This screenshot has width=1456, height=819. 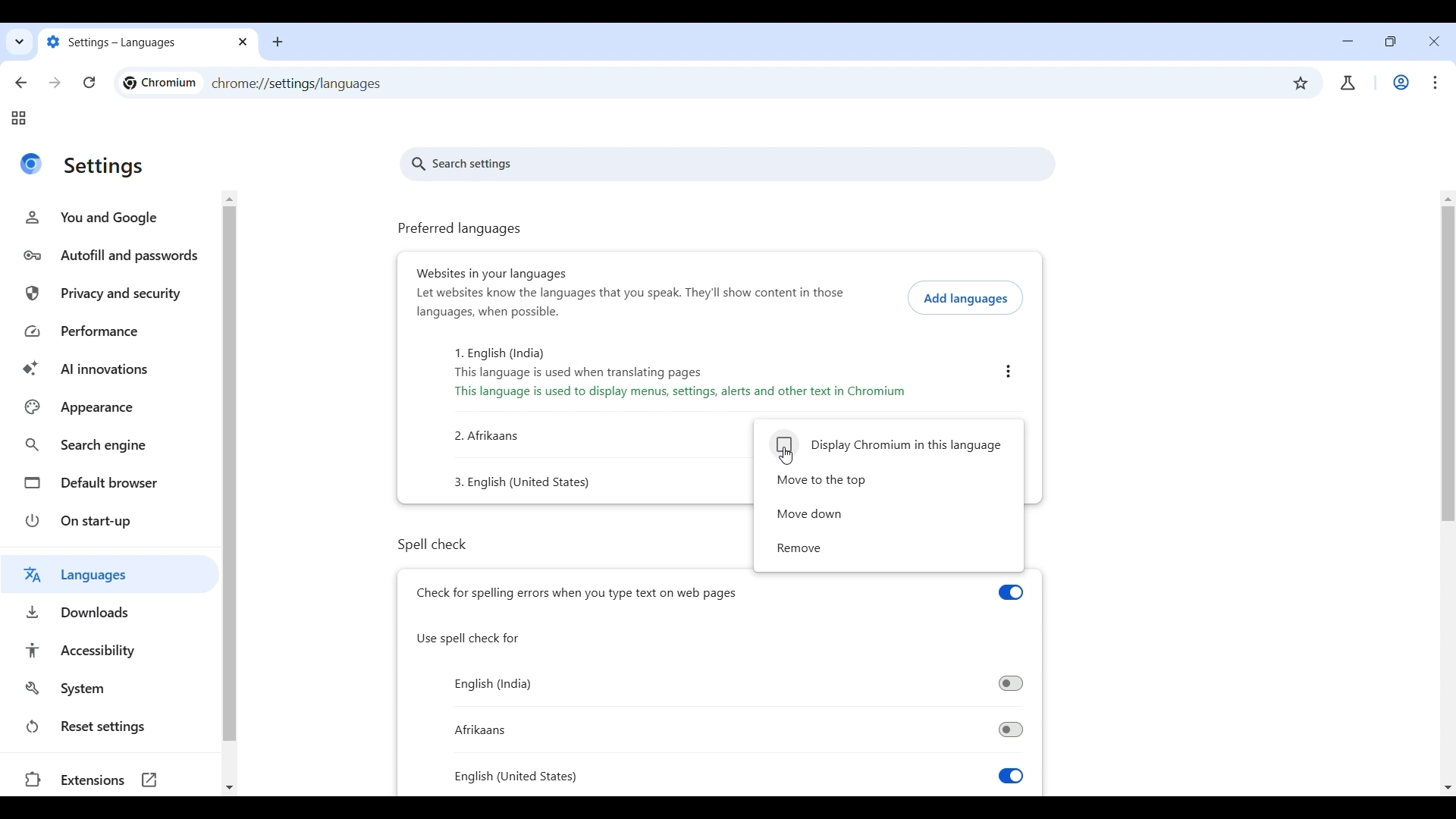 What do you see at coordinates (1448, 199) in the screenshot?
I see `Quick slide to top` at bounding box center [1448, 199].